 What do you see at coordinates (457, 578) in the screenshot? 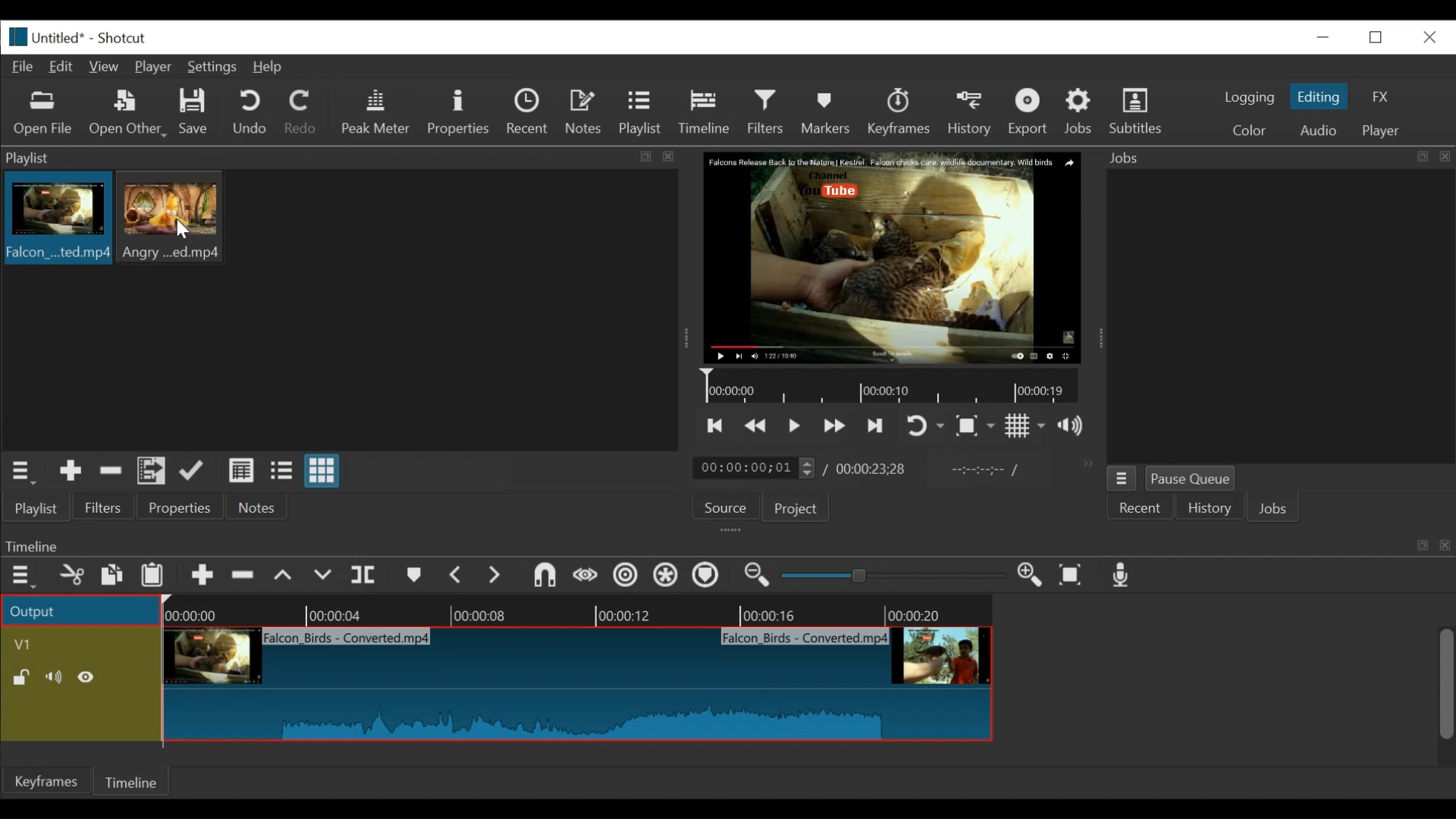
I see `Previous marker` at bounding box center [457, 578].